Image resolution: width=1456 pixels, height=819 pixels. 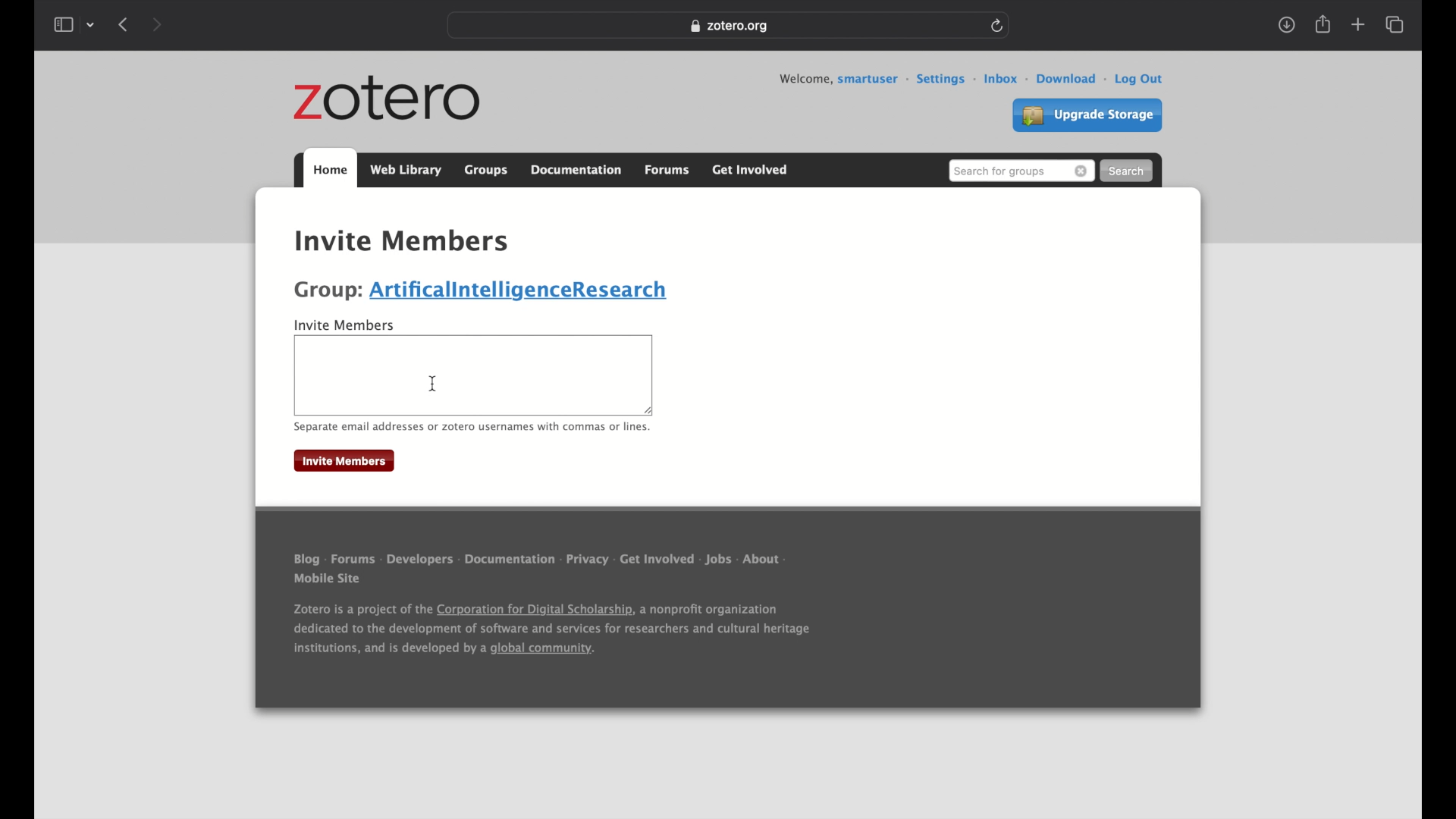 I want to click on groups tab, so click(x=486, y=168).